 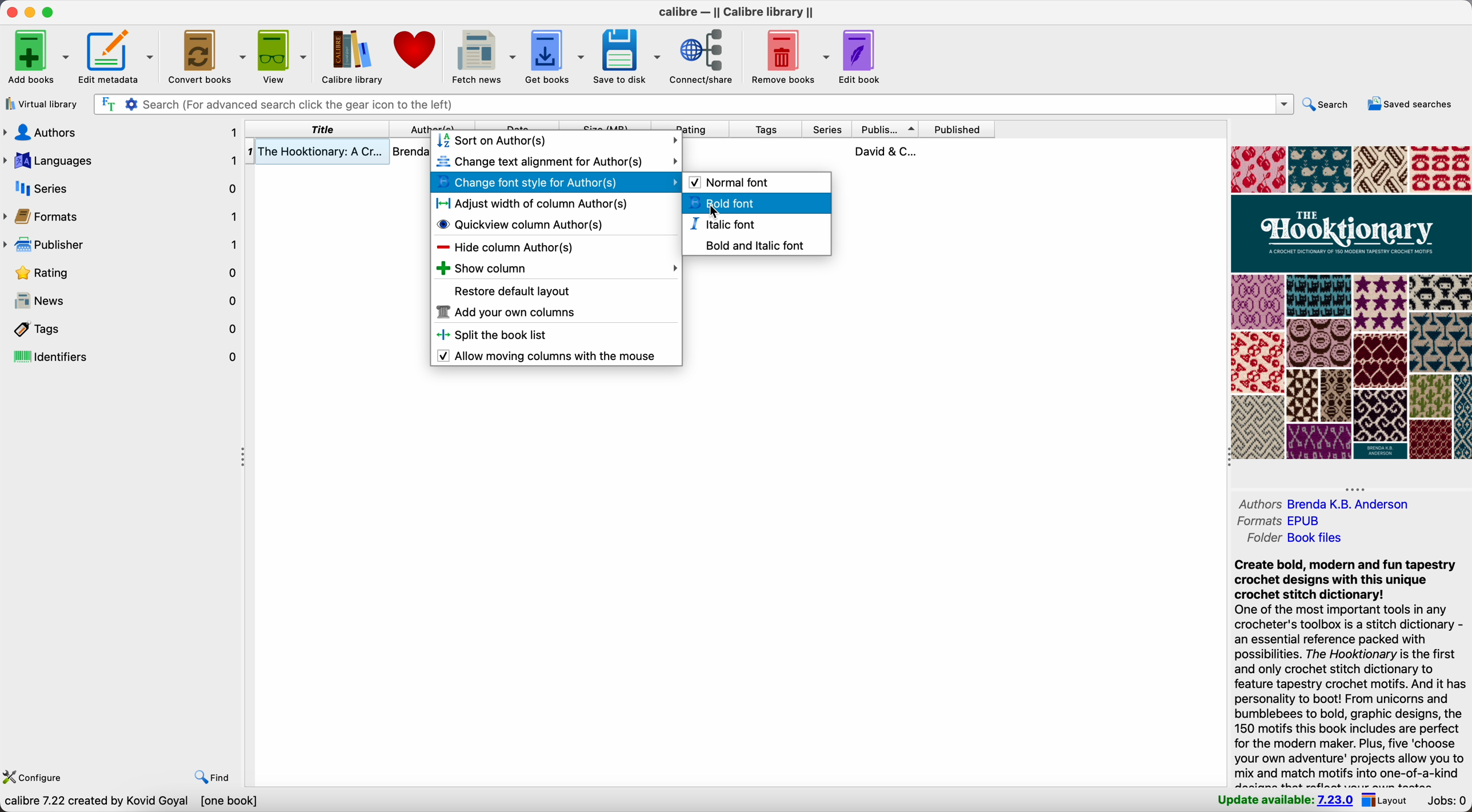 What do you see at coordinates (605, 125) in the screenshot?
I see `size` at bounding box center [605, 125].